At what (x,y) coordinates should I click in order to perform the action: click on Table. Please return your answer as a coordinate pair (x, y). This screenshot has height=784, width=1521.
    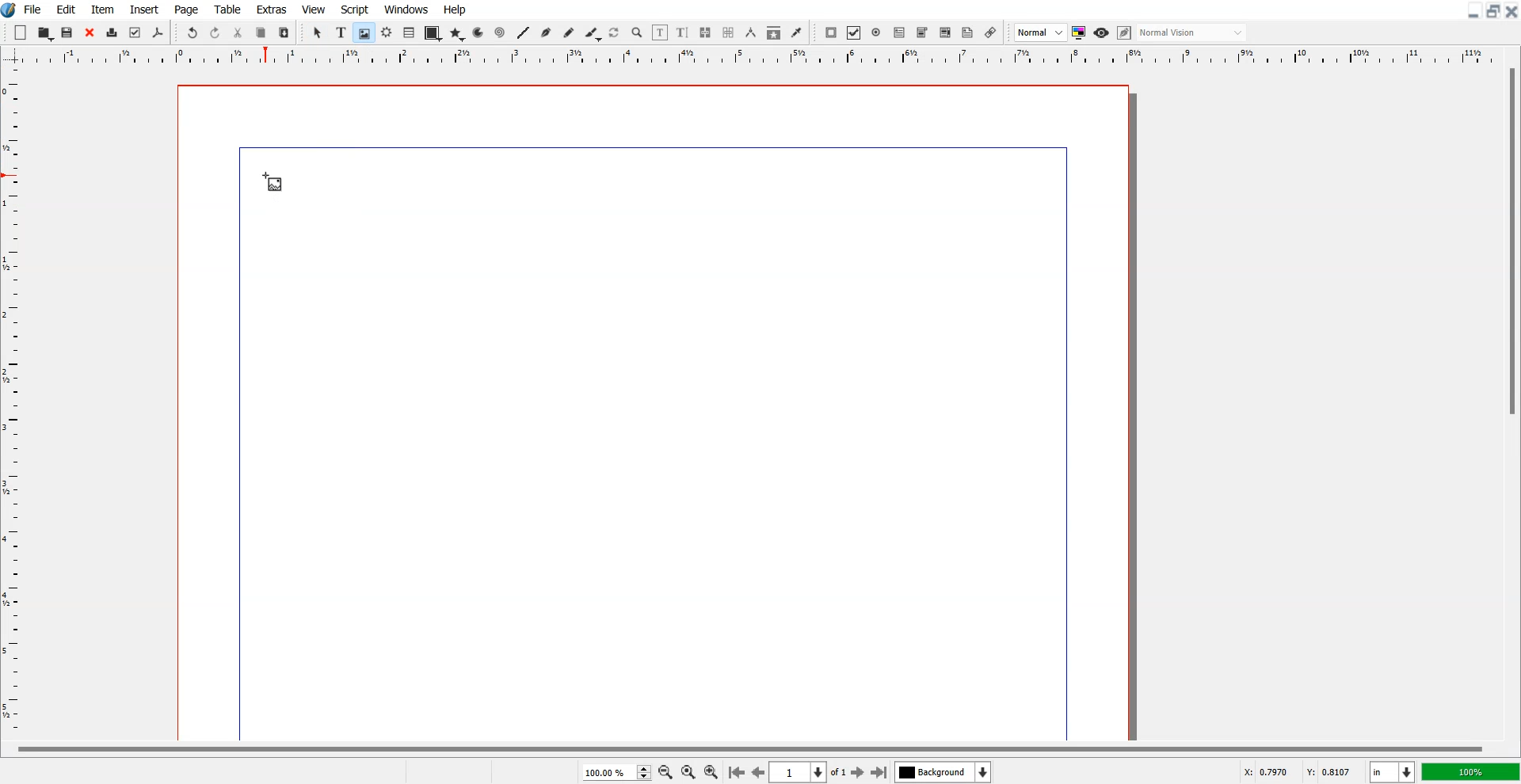
    Looking at the image, I should click on (409, 33).